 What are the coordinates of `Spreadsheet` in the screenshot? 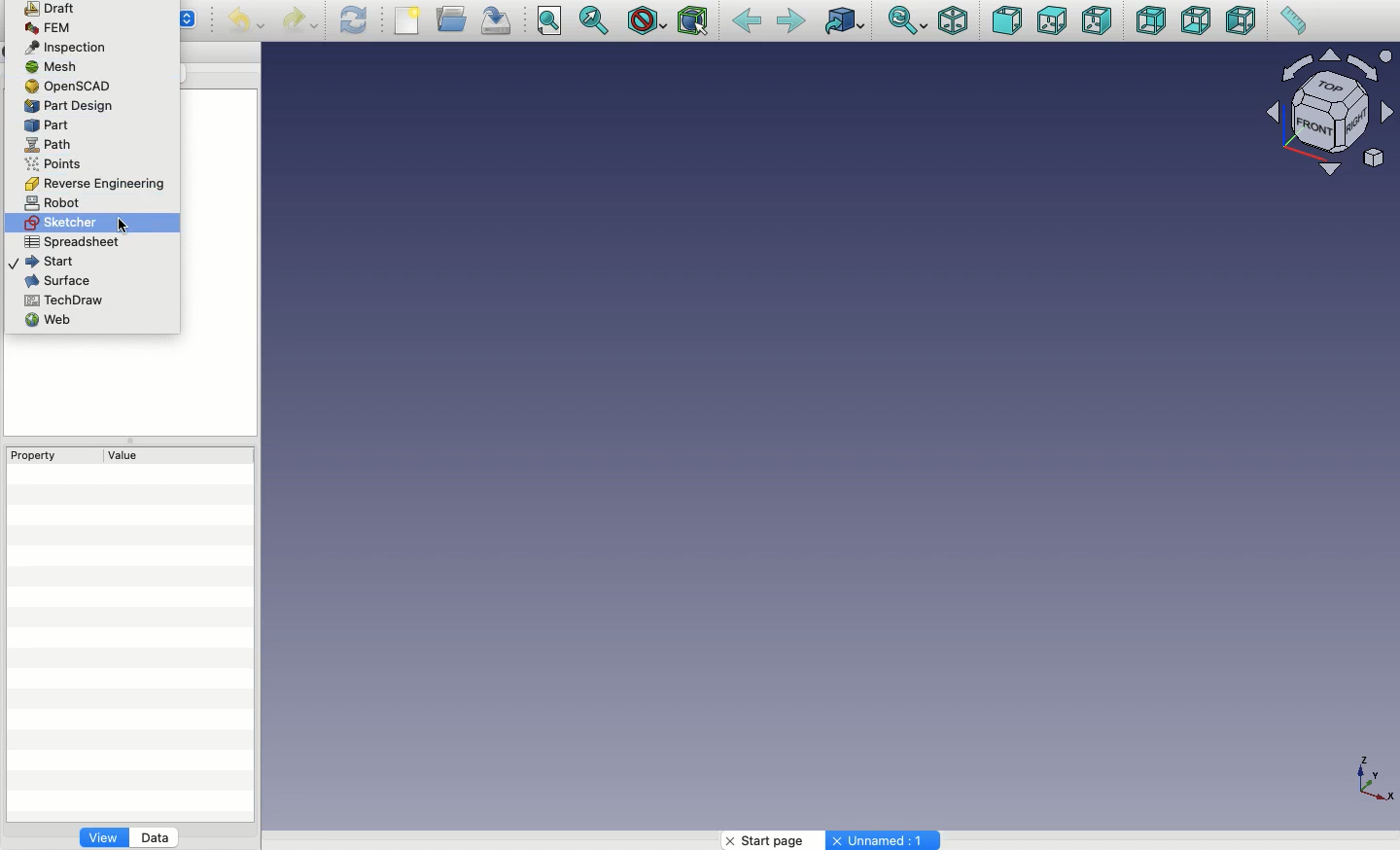 It's located at (73, 241).